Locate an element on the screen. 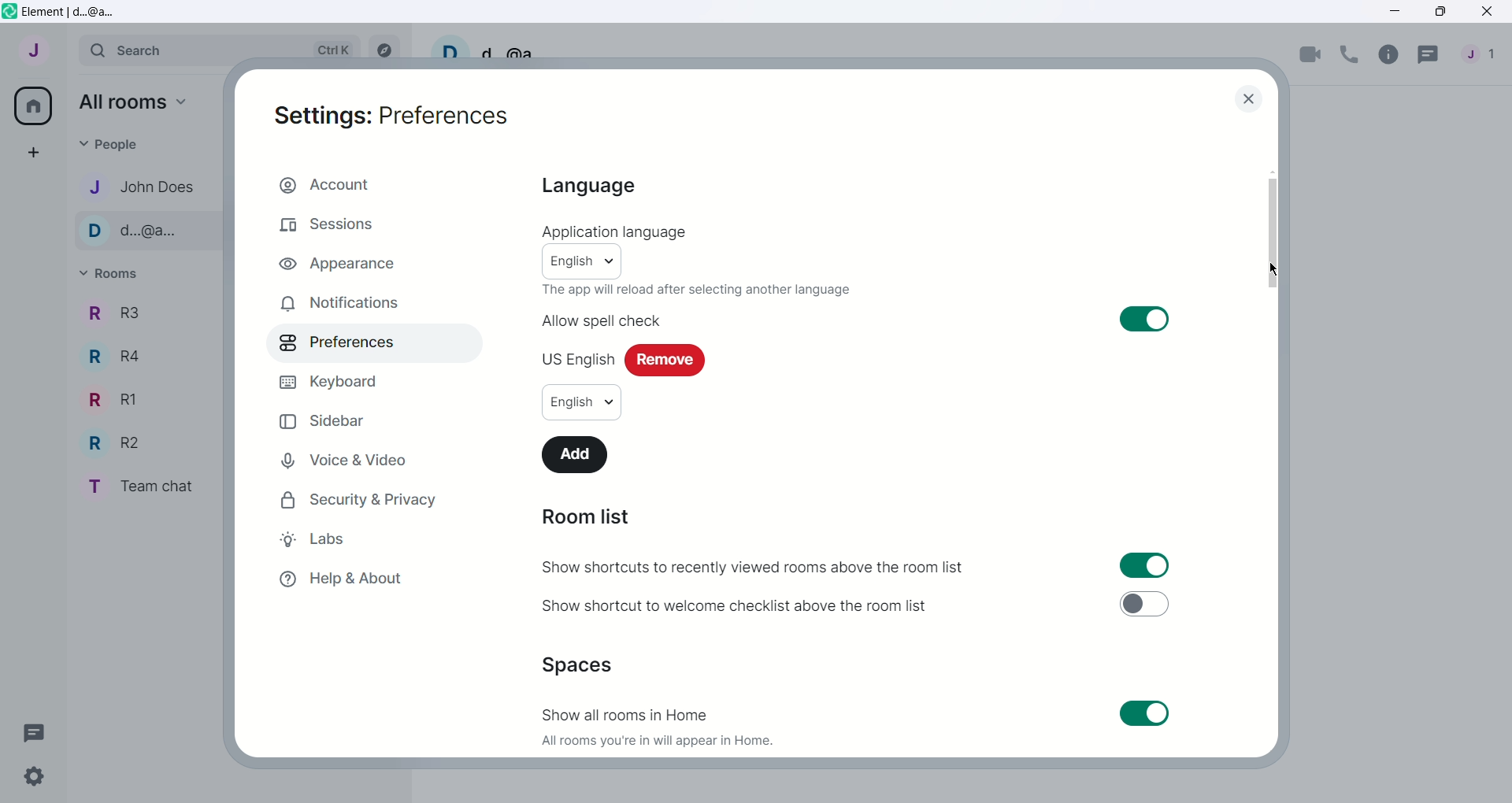 This screenshot has height=803, width=1512. R4 - Room Name is located at coordinates (120, 358).